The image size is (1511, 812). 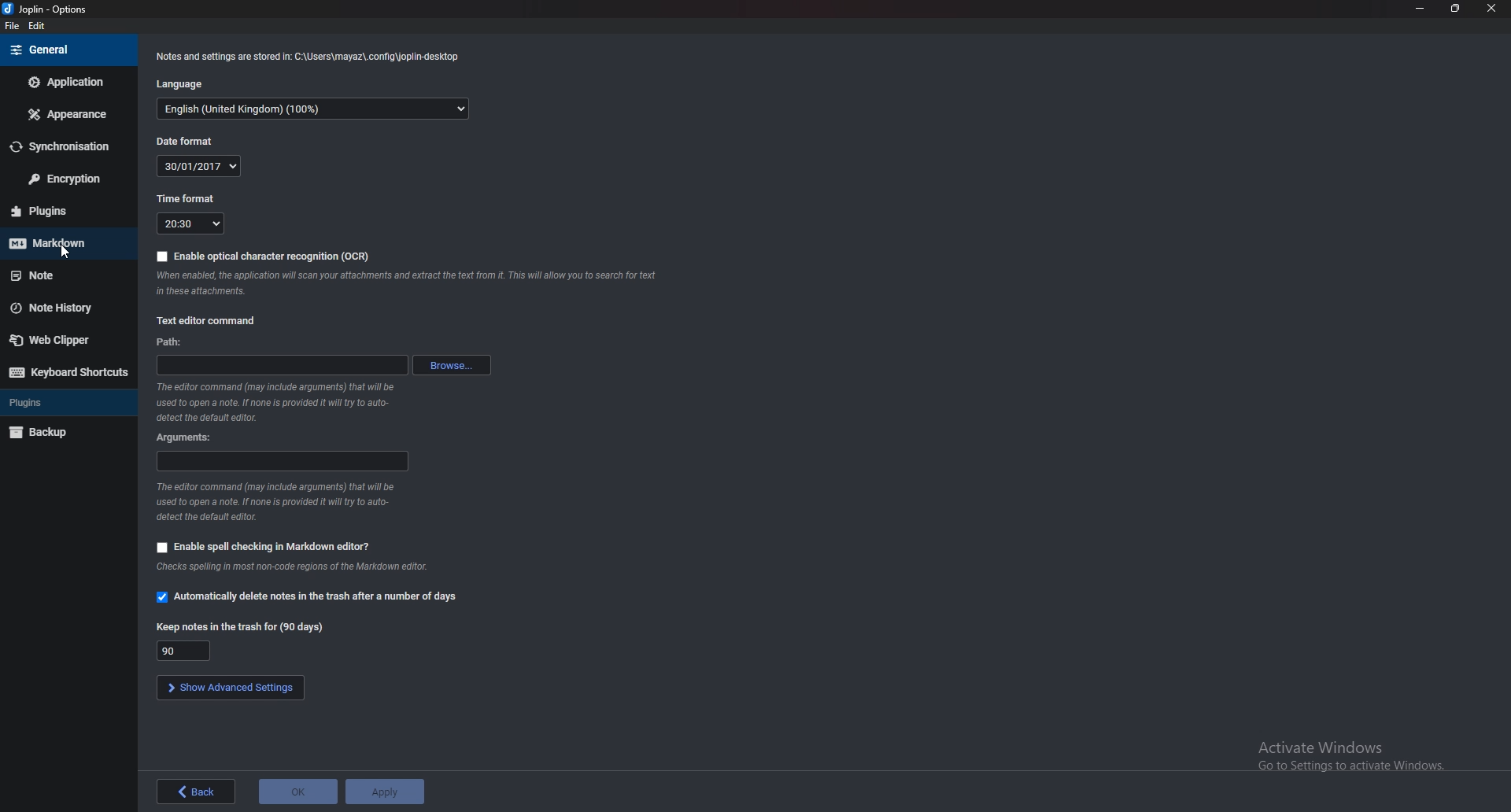 What do you see at coordinates (283, 461) in the screenshot?
I see `Arguments` at bounding box center [283, 461].